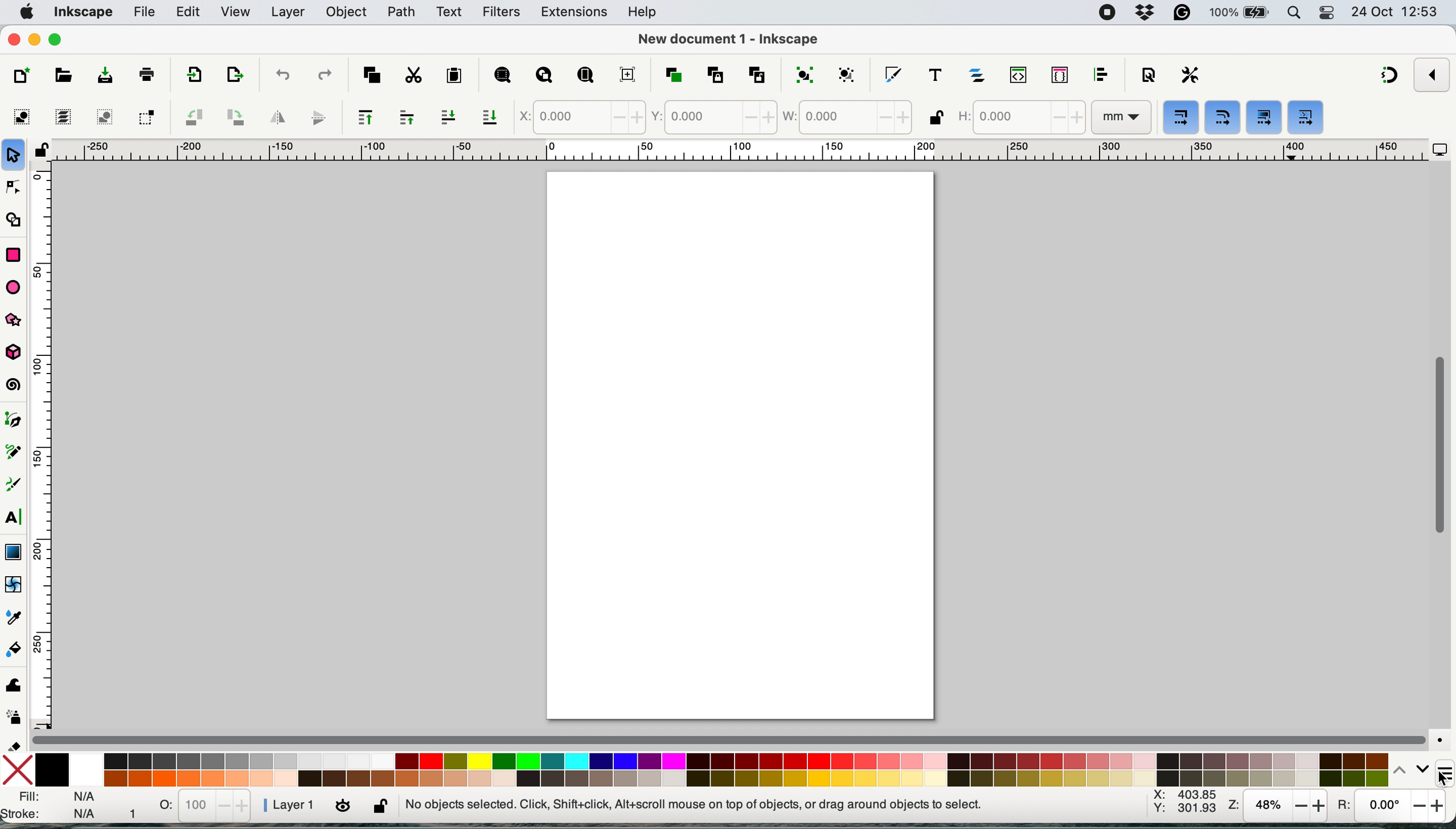 This screenshot has width=1456, height=829. I want to click on system logo, so click(27, 13).